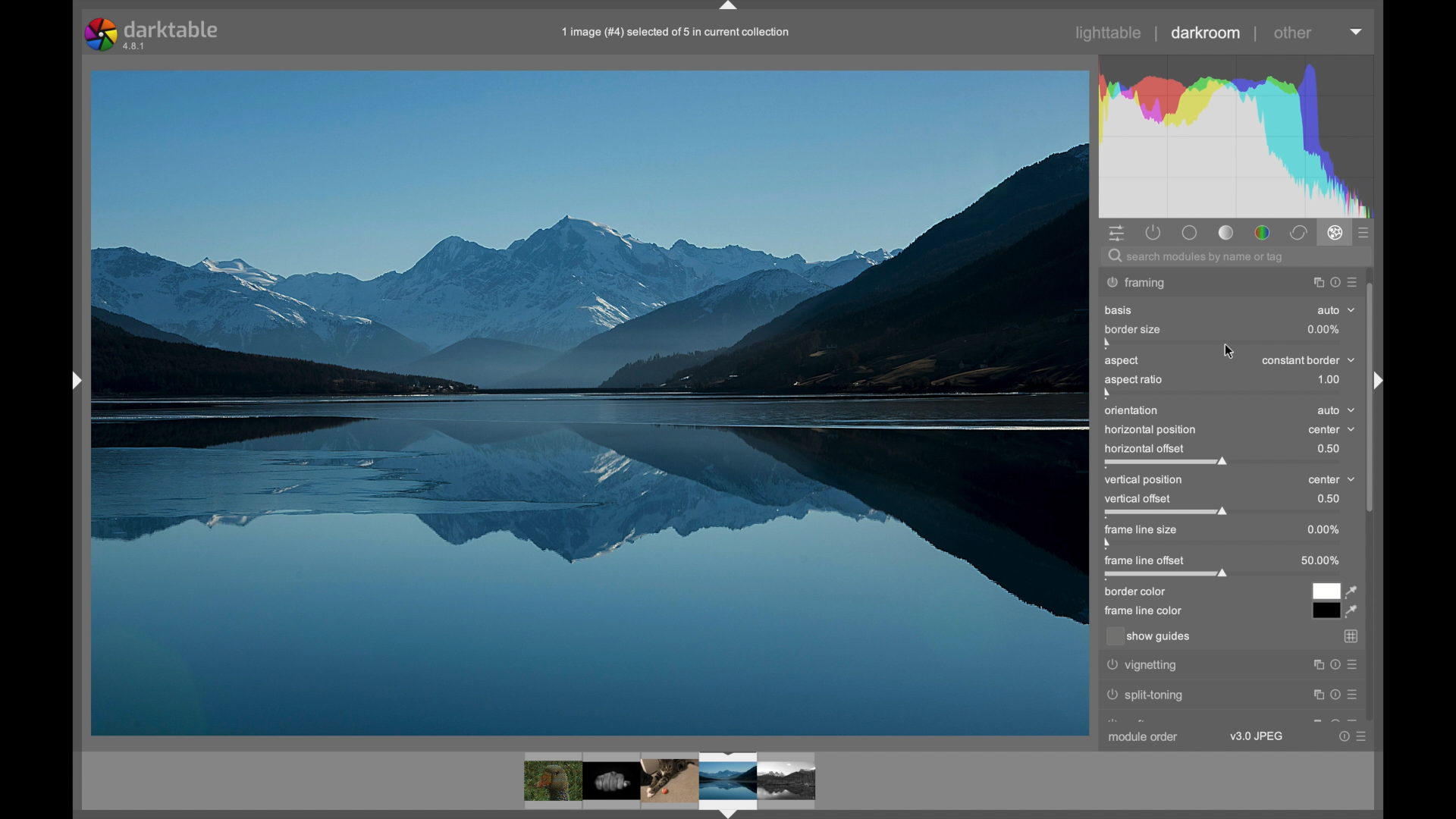 The image size is (1456, 819). Describe the element at coordinates (1227, 234) in the screenshot. I see `base` at that location.